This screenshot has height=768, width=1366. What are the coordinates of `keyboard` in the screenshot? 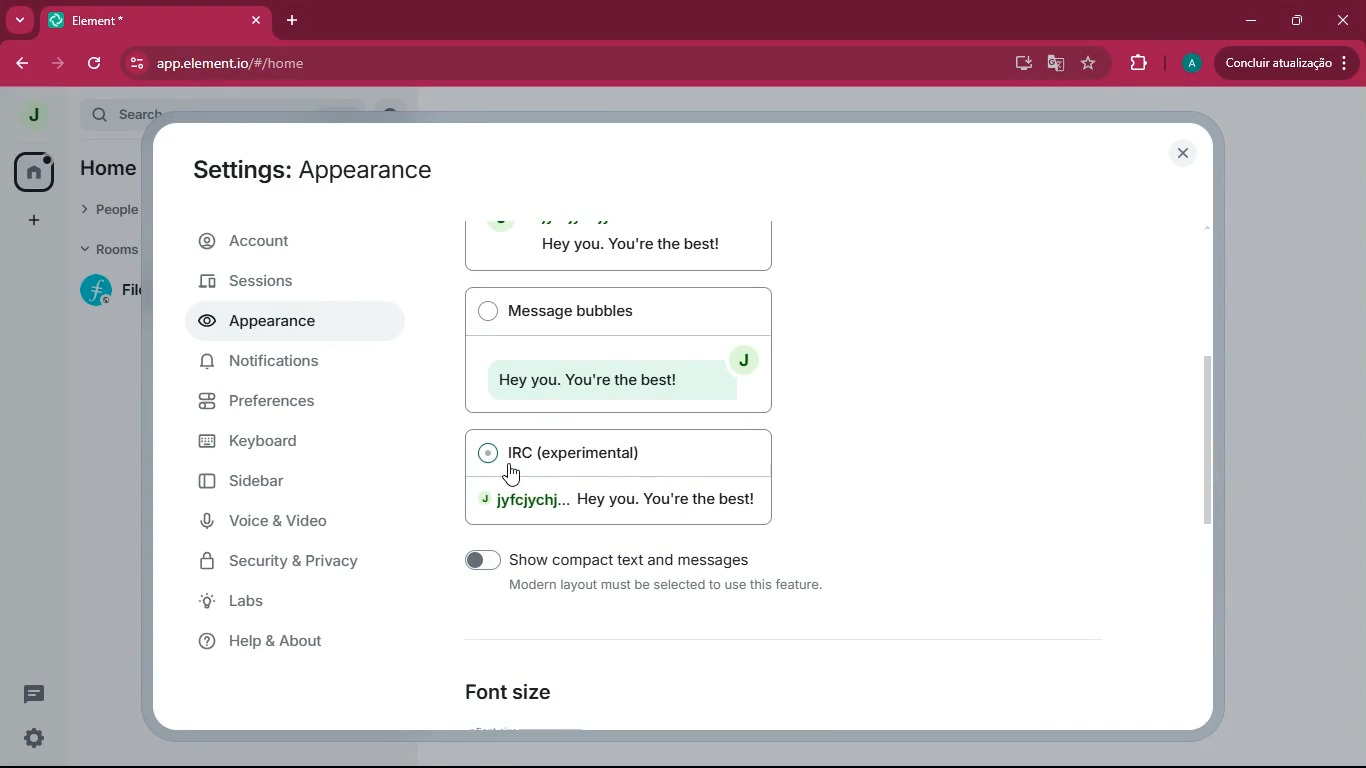 It's located at (283, 443).